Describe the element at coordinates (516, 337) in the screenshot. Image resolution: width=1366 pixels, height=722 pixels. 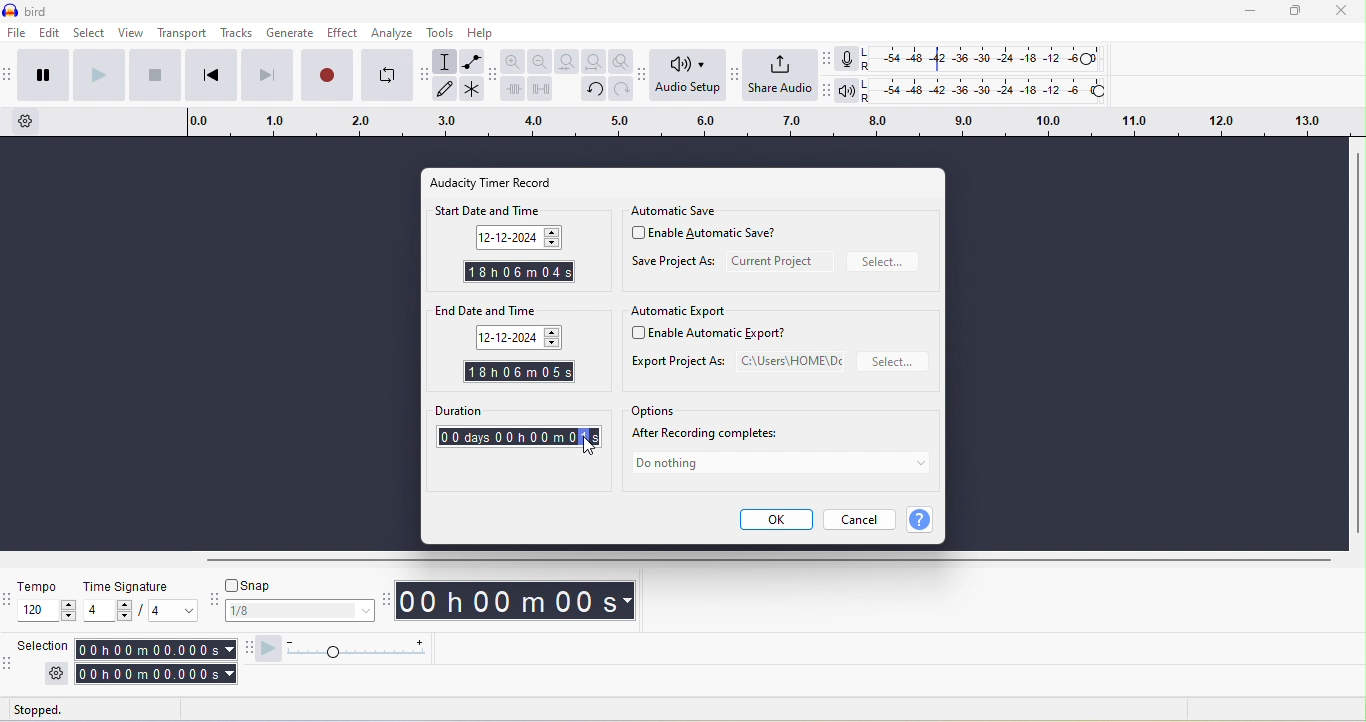
I see `date` at that location.